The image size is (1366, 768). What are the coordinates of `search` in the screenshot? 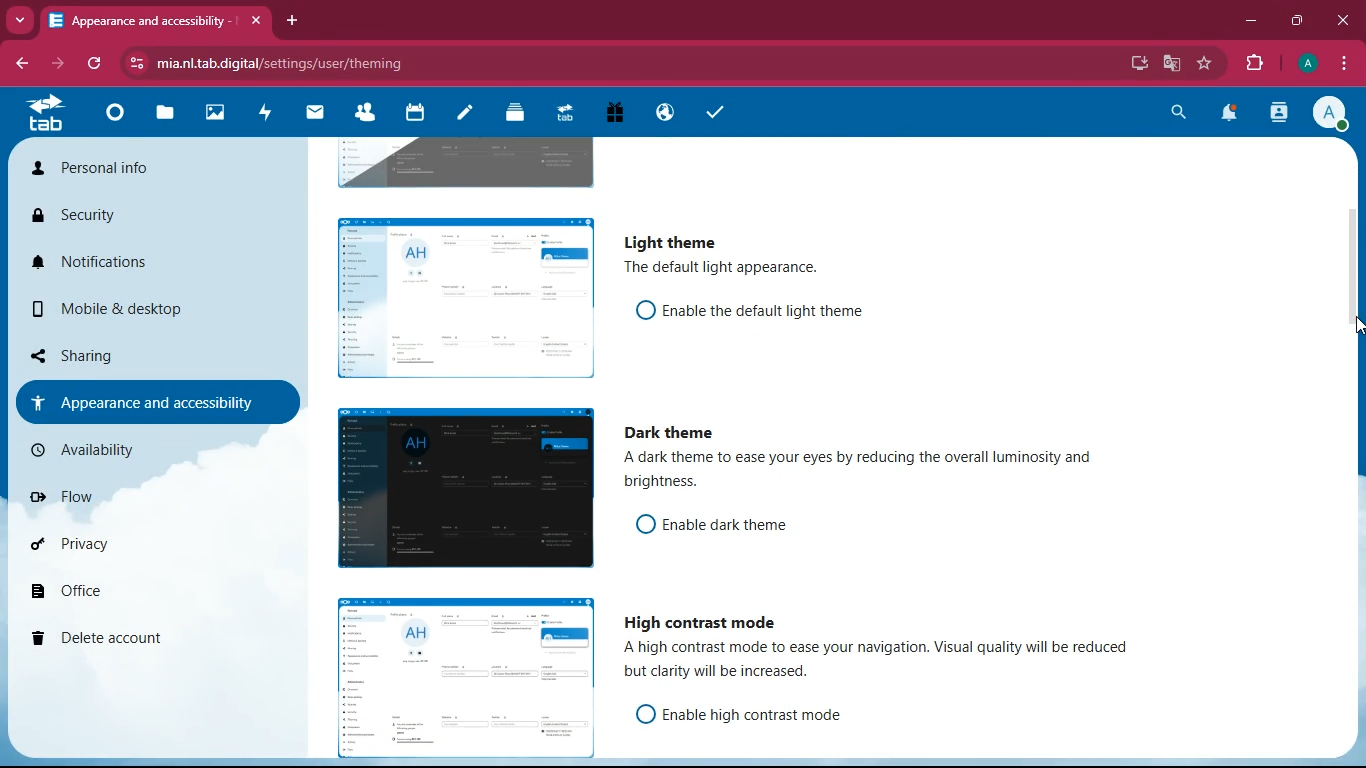 It's located at (1180, 114).